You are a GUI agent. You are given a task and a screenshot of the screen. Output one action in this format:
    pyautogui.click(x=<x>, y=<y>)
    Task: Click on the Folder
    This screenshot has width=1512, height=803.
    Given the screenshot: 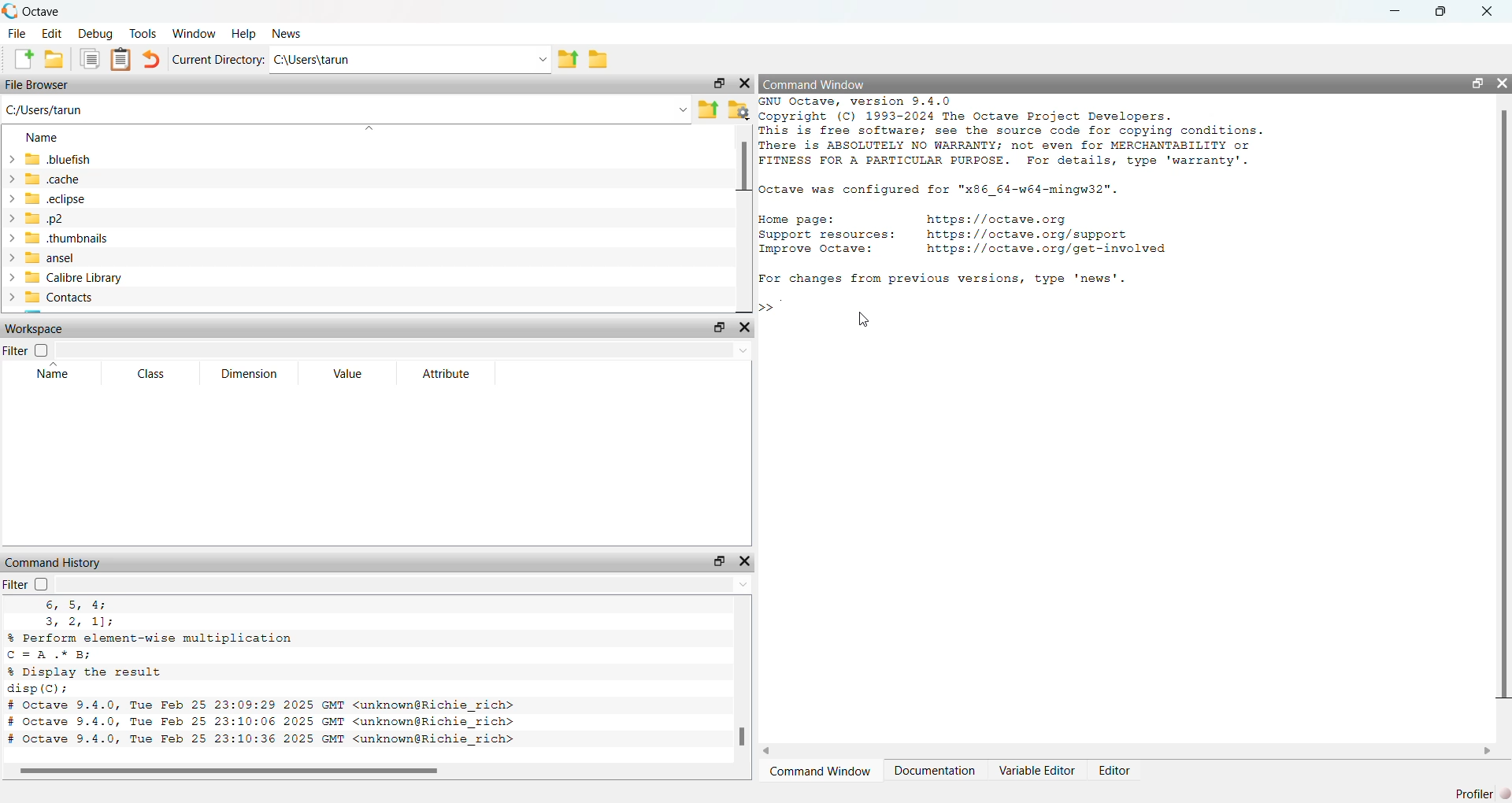 What is the action you would take?
    pyautogui.click(x=598, y=60)
    